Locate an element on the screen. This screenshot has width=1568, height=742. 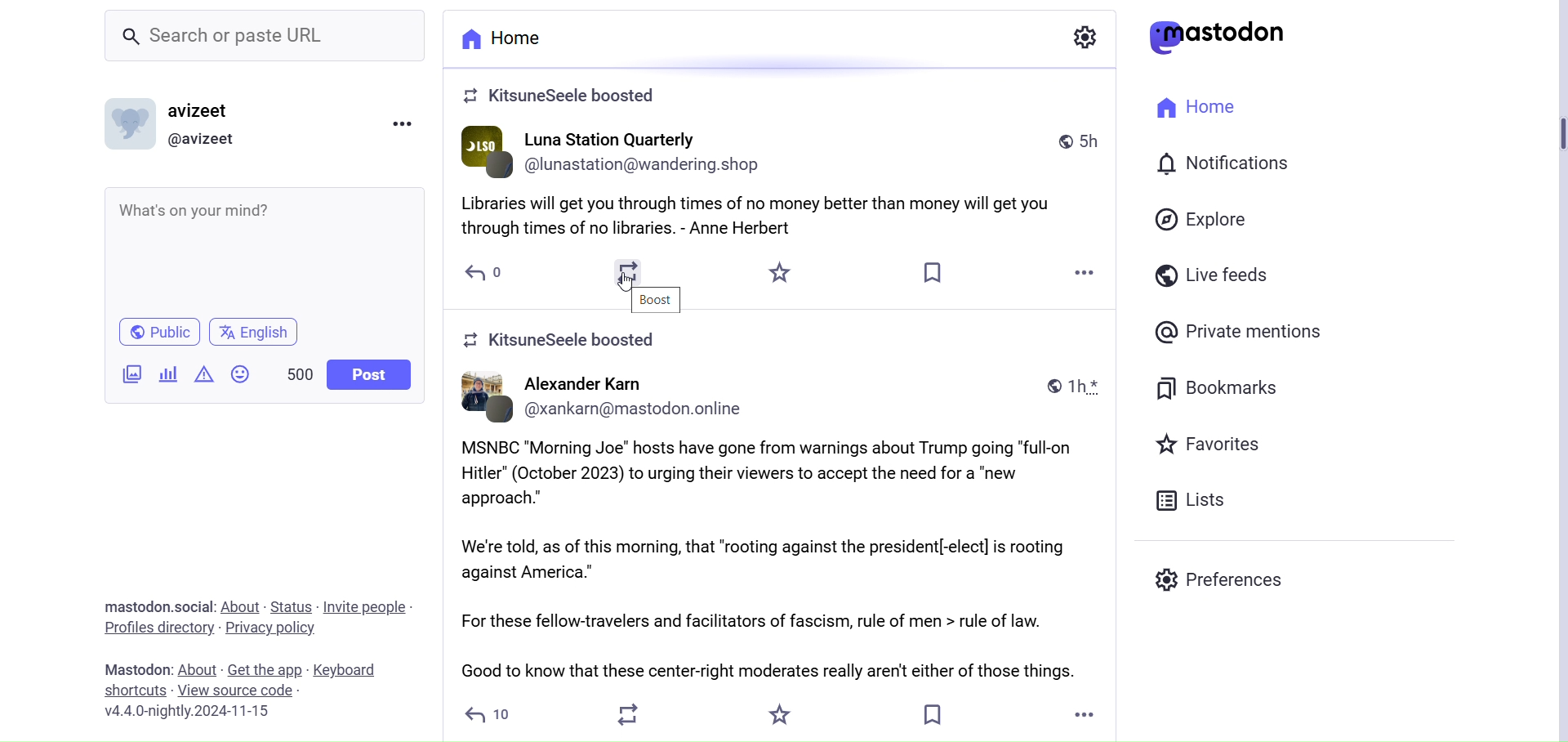
Reply is located at coordinates (484, 274).